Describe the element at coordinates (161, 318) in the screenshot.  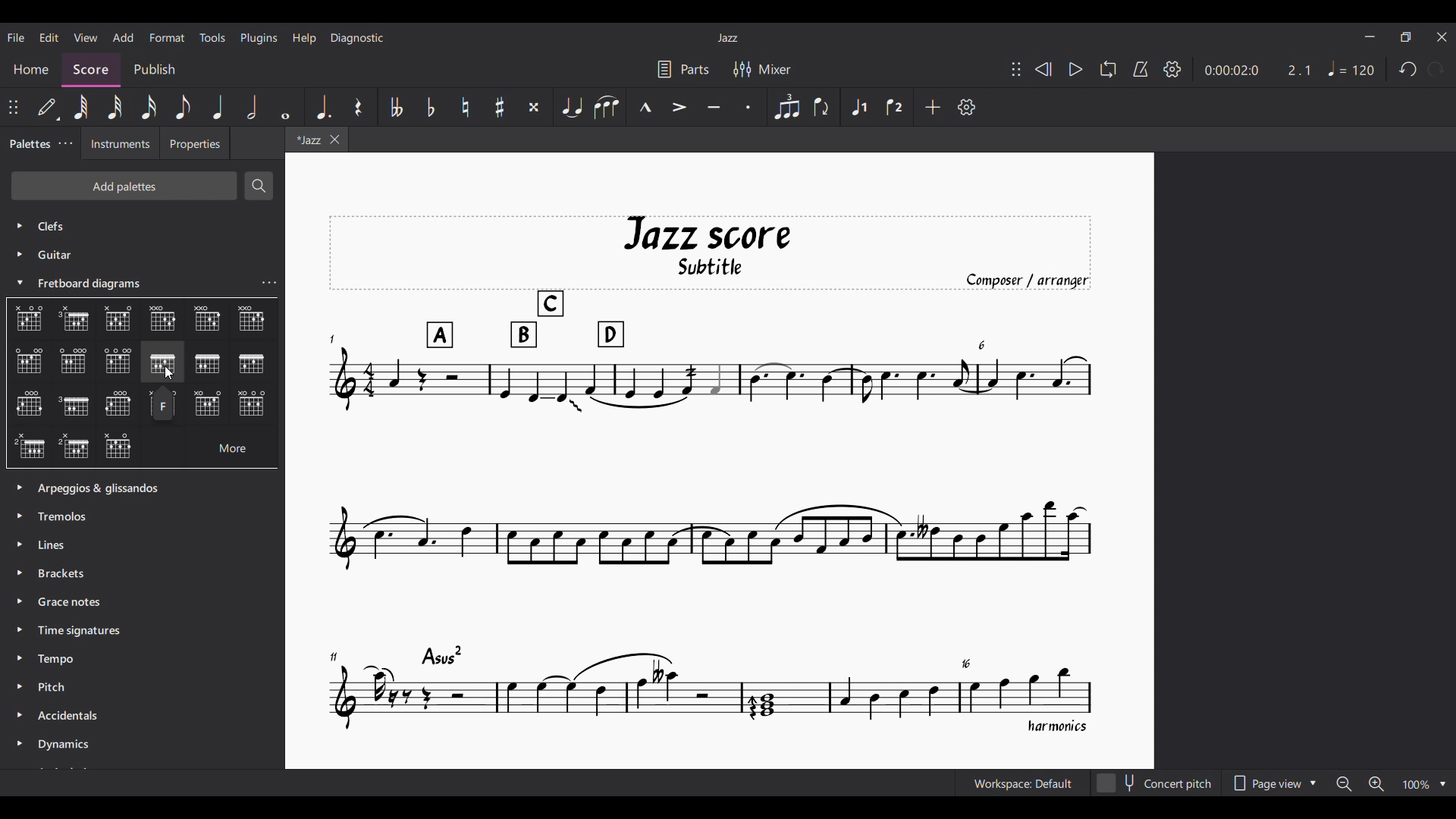
I see `Chart4` at that location.